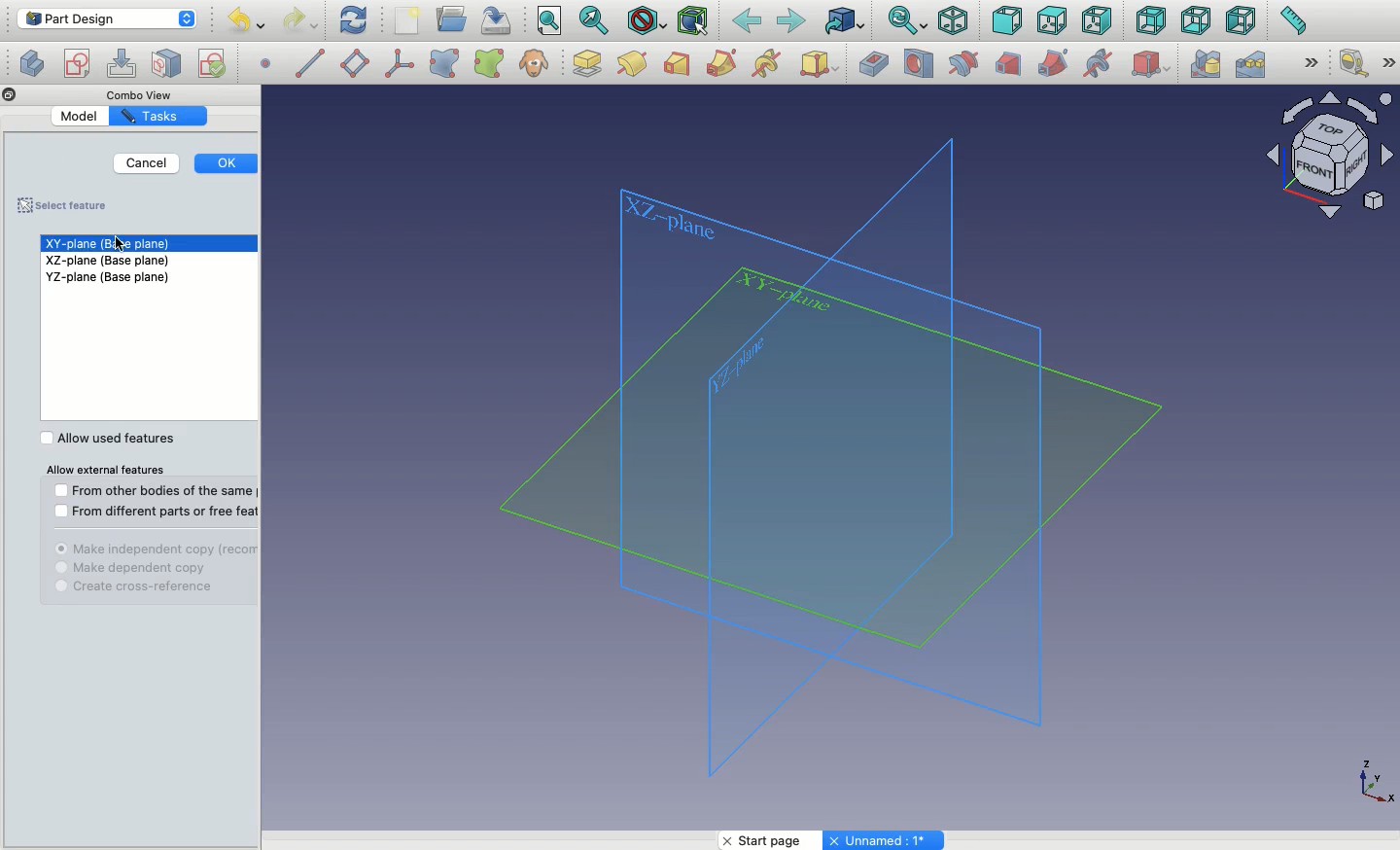  What do you see at coordinates (157, 514) in the screenshot?
I see `From different part ` at bounding box center [157, 514].